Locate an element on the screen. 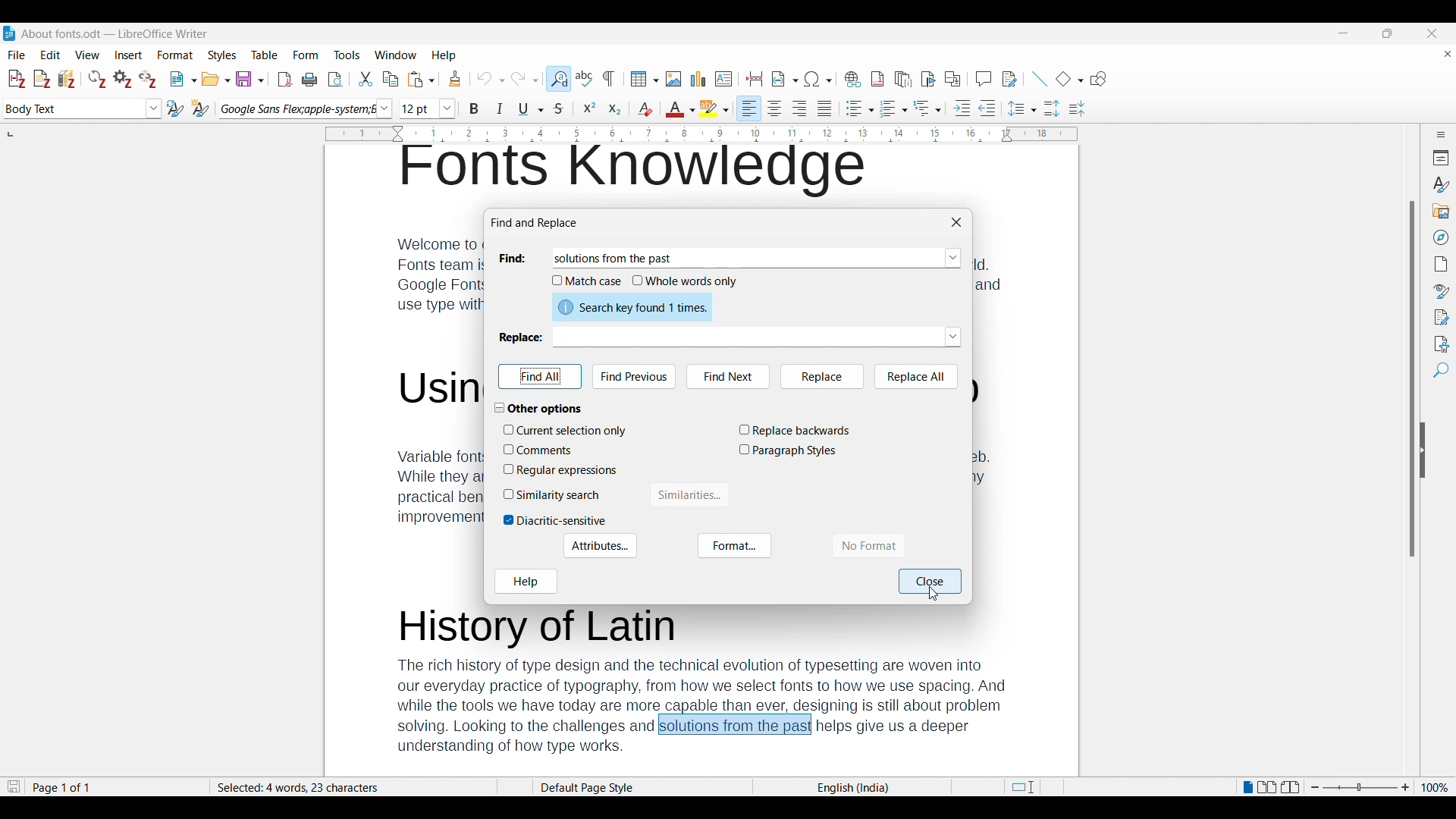  Hide right sidebar is located at coordinates (1423, 450).